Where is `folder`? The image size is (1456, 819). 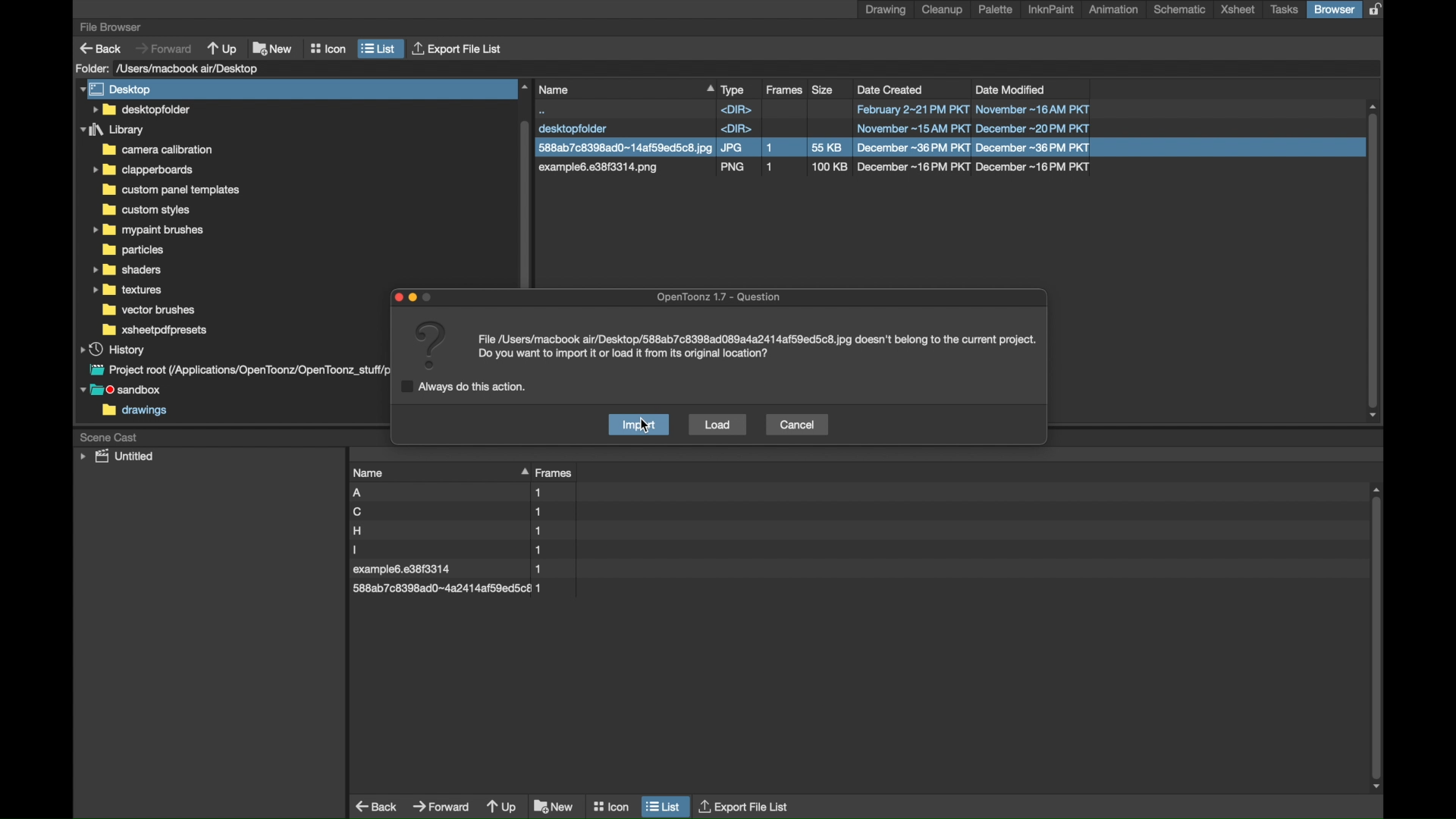
folder is located at coordinates (156, 149).